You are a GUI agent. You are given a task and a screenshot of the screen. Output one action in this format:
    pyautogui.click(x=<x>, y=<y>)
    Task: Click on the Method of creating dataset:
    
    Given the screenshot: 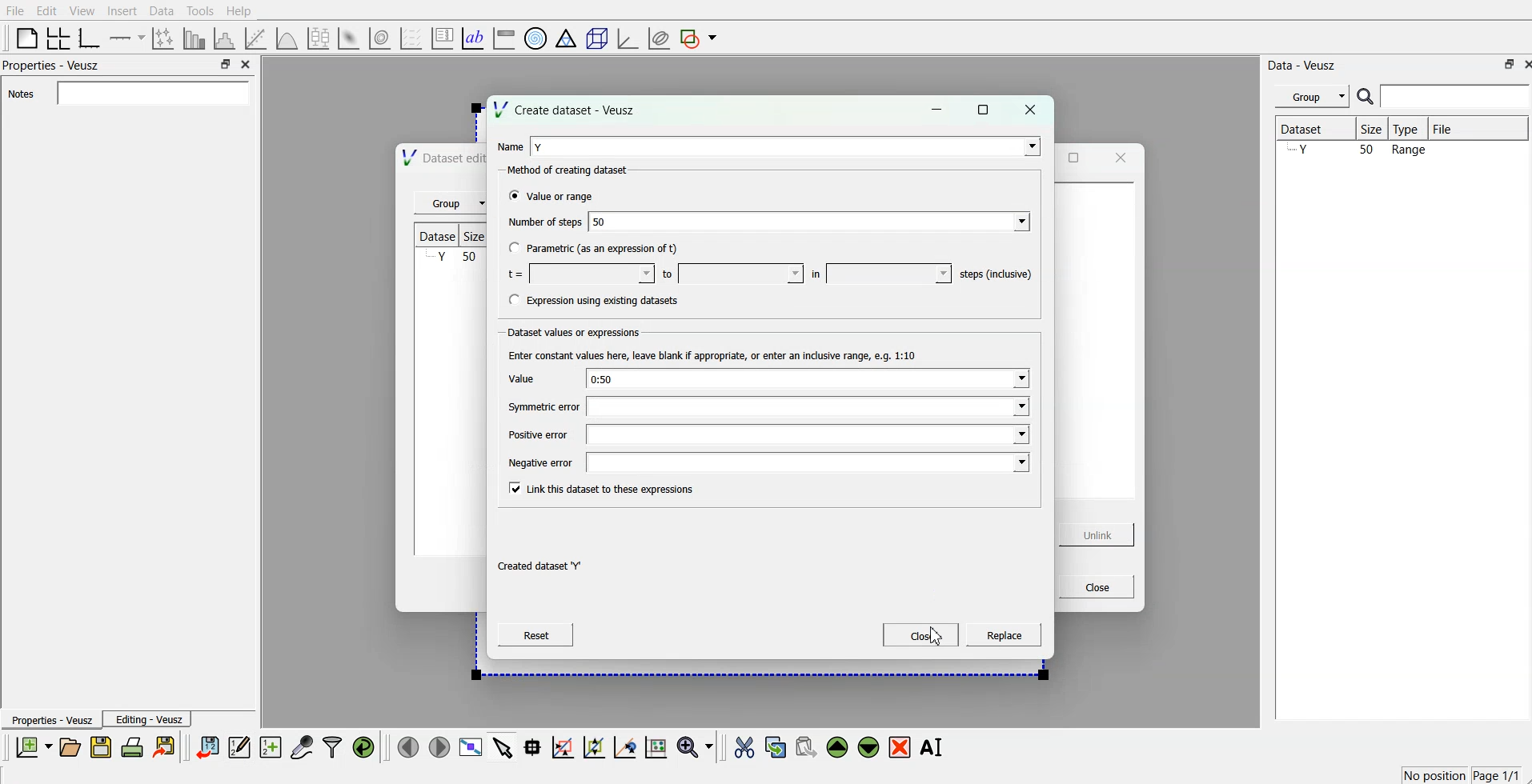 What is the action you would take?
    pyautogui.click(x=574, y=170)
    